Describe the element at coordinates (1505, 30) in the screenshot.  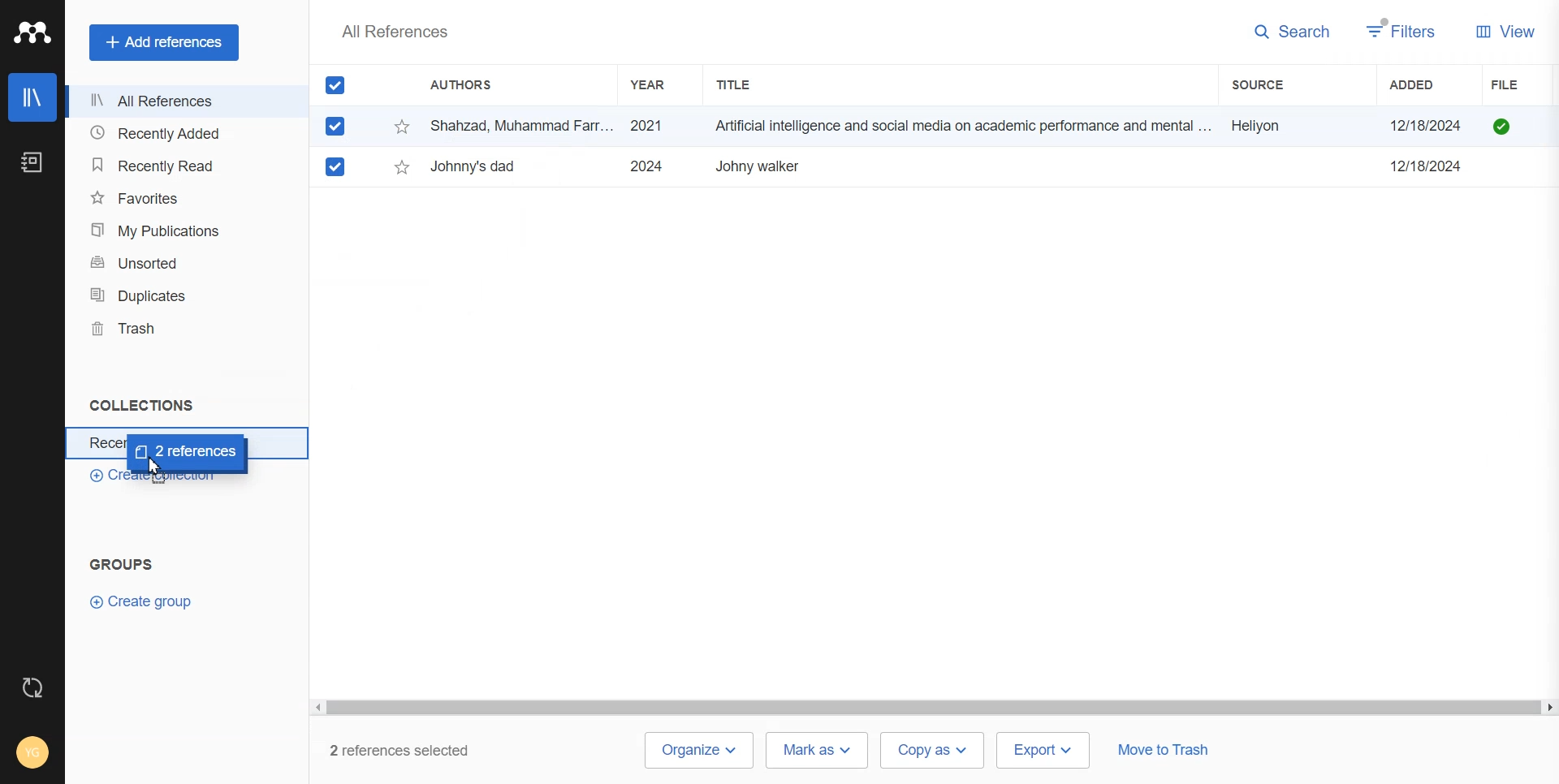
I see `View` at that location.